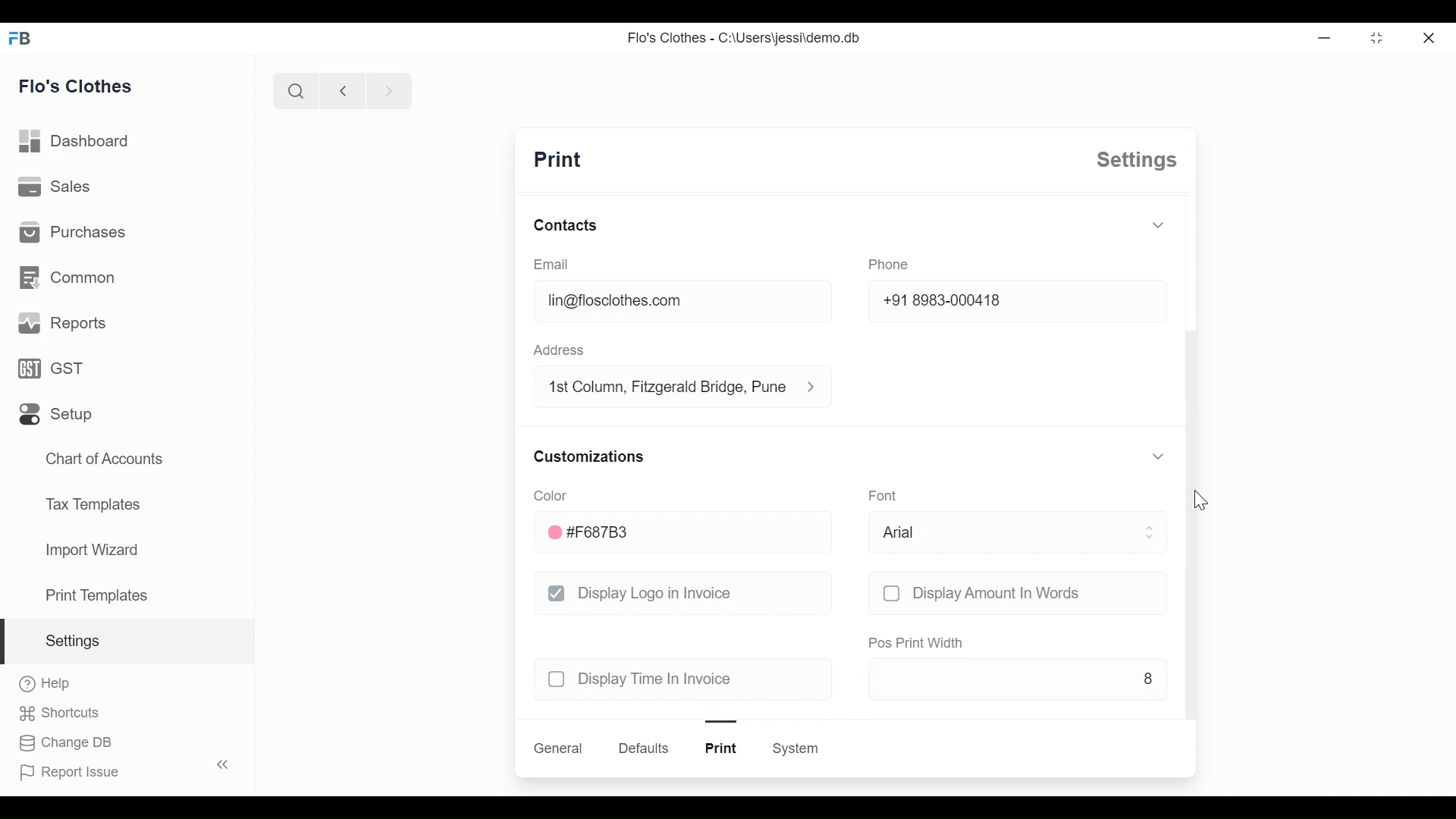  Describe the element at coordinates (59, 714) in the screenshot. I see `shortcuts` at that location.